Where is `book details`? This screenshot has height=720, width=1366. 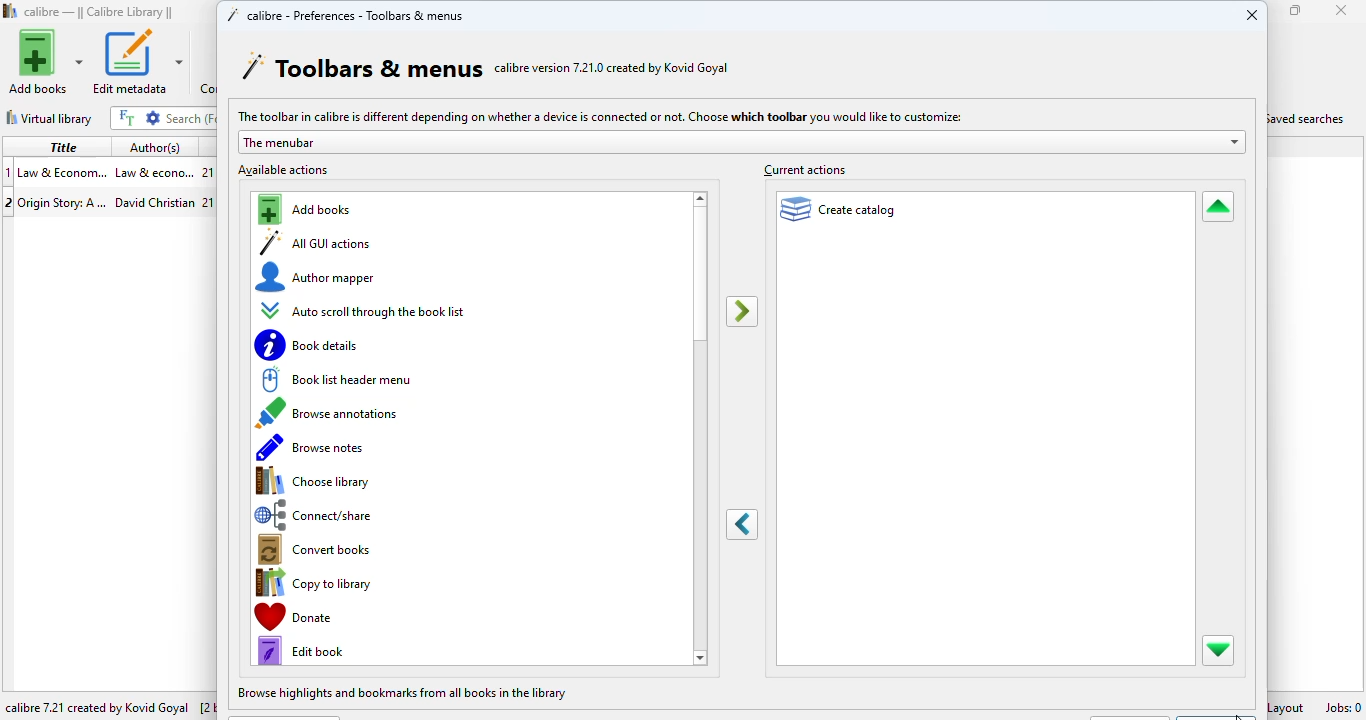 book details is located at coordinates (309, 345).